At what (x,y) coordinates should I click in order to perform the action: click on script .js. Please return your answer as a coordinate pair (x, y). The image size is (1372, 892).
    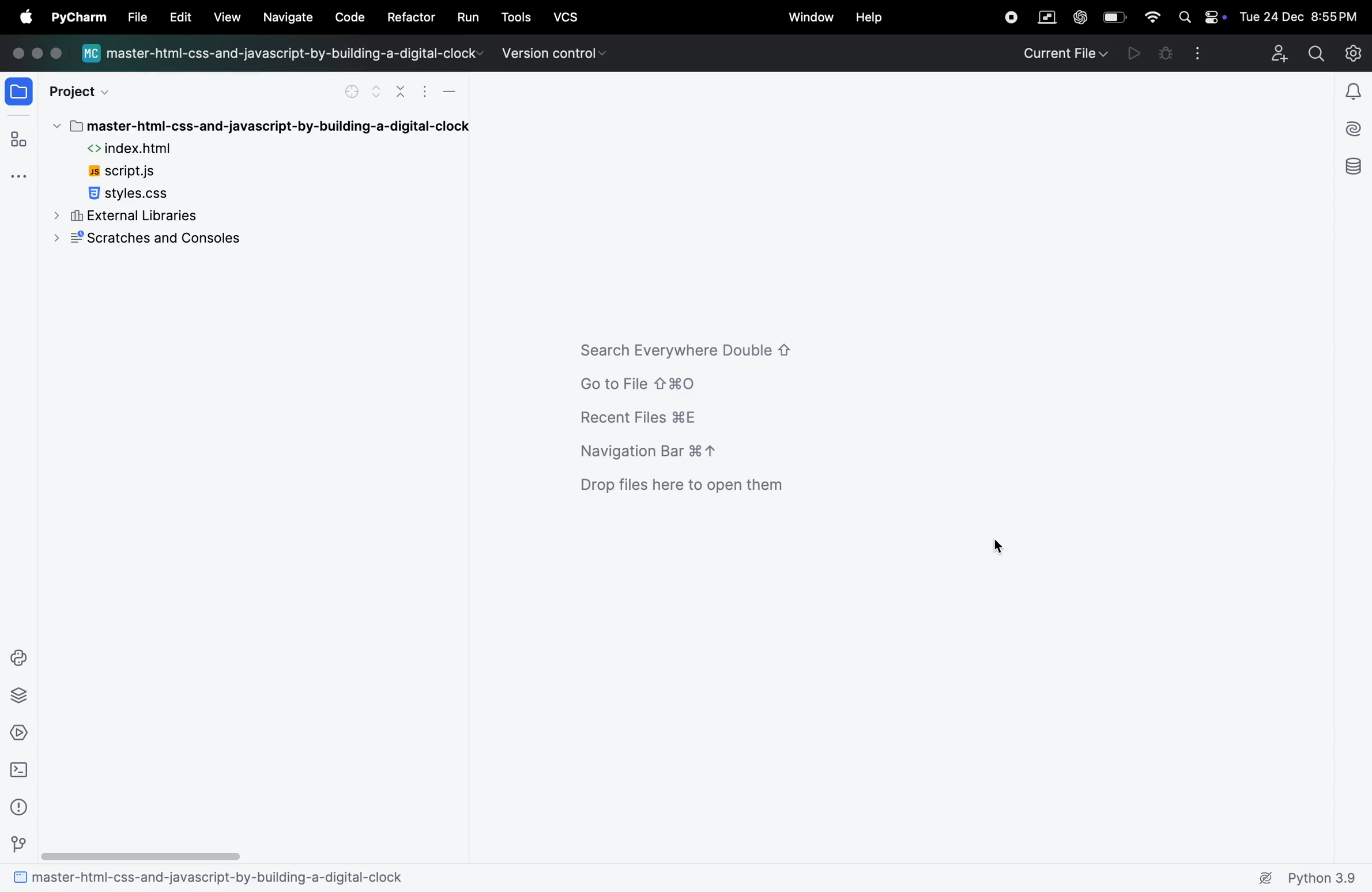
    Looking at the image, I should click on (139, 171).